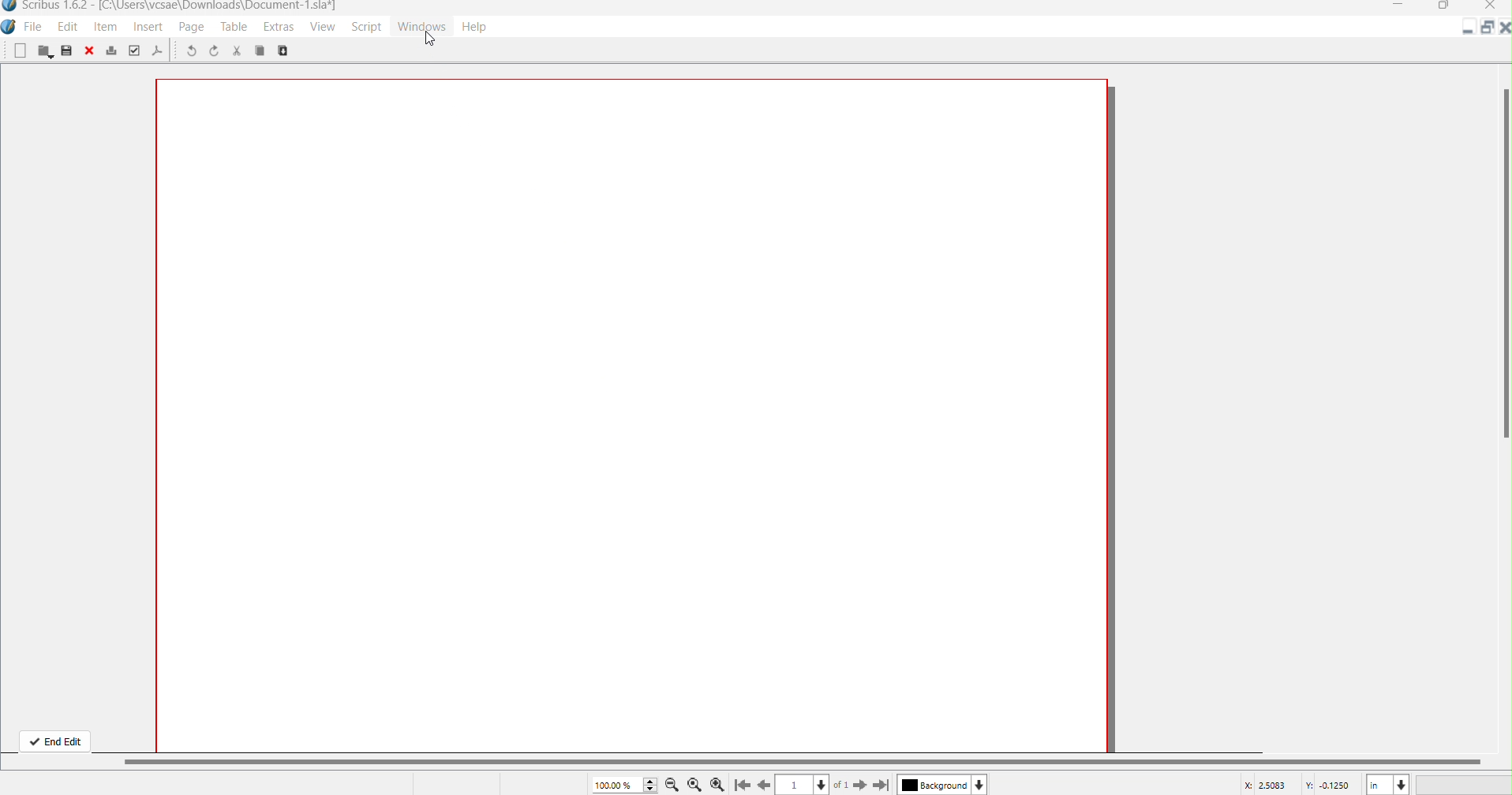 This screenshot has width=1512, height=795. I want to click on Edit, so click(67, 28).